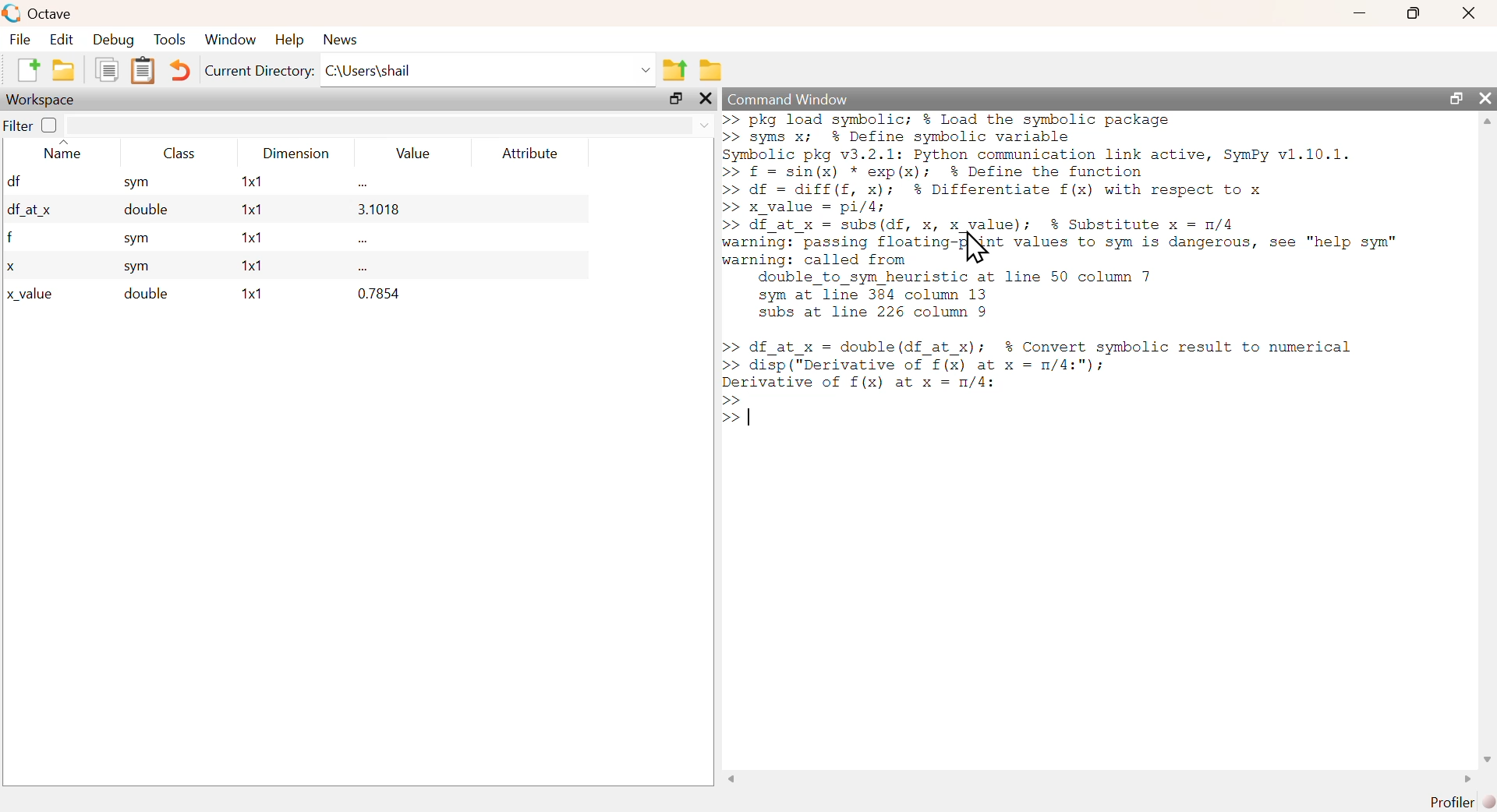  Describe the element at coordinates (731, 779) in the screenshot. I see `scroll left` at that location.